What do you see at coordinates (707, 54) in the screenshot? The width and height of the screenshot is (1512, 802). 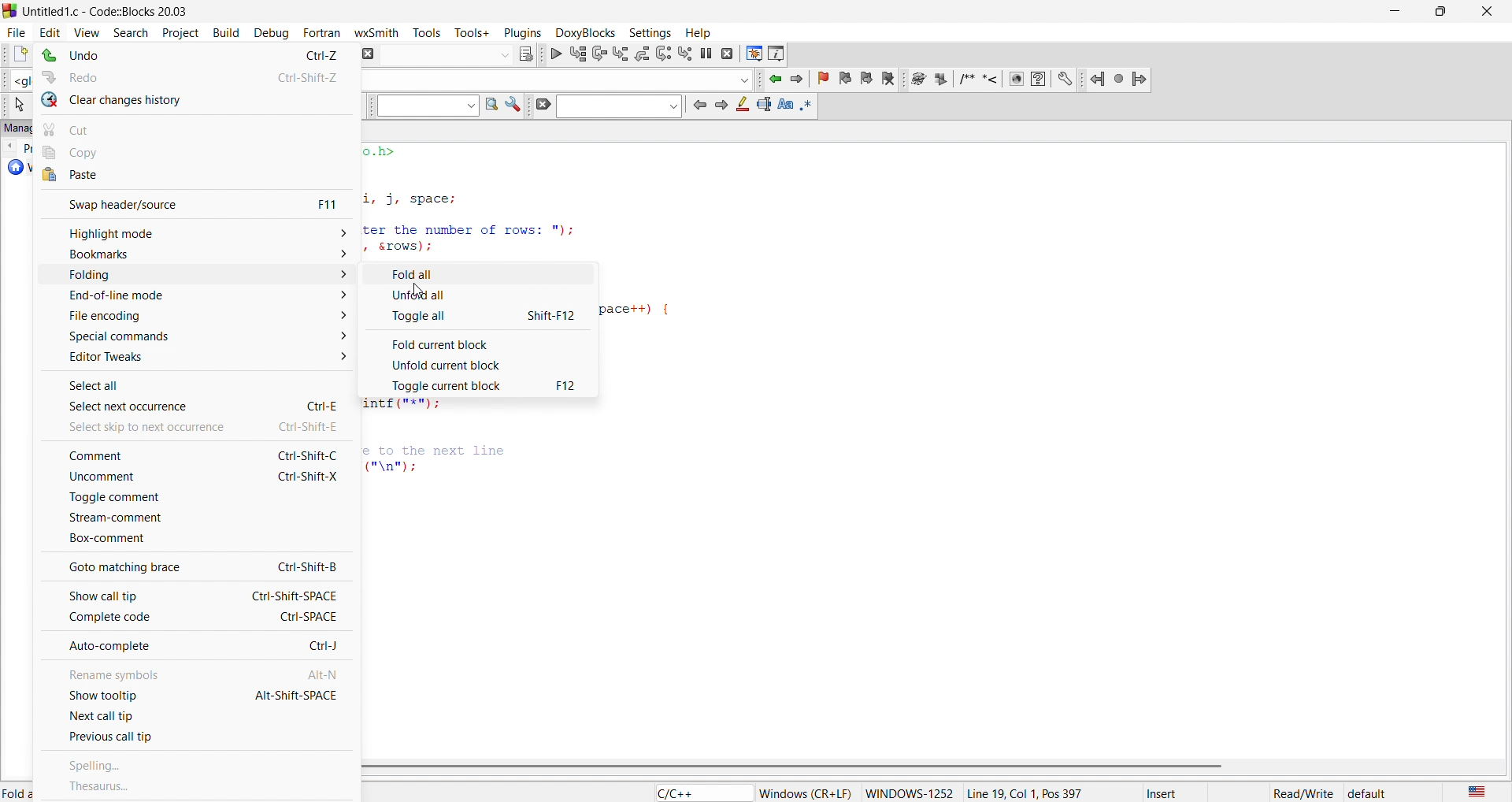 I see `break debugging` at bounding box center [707, 54].